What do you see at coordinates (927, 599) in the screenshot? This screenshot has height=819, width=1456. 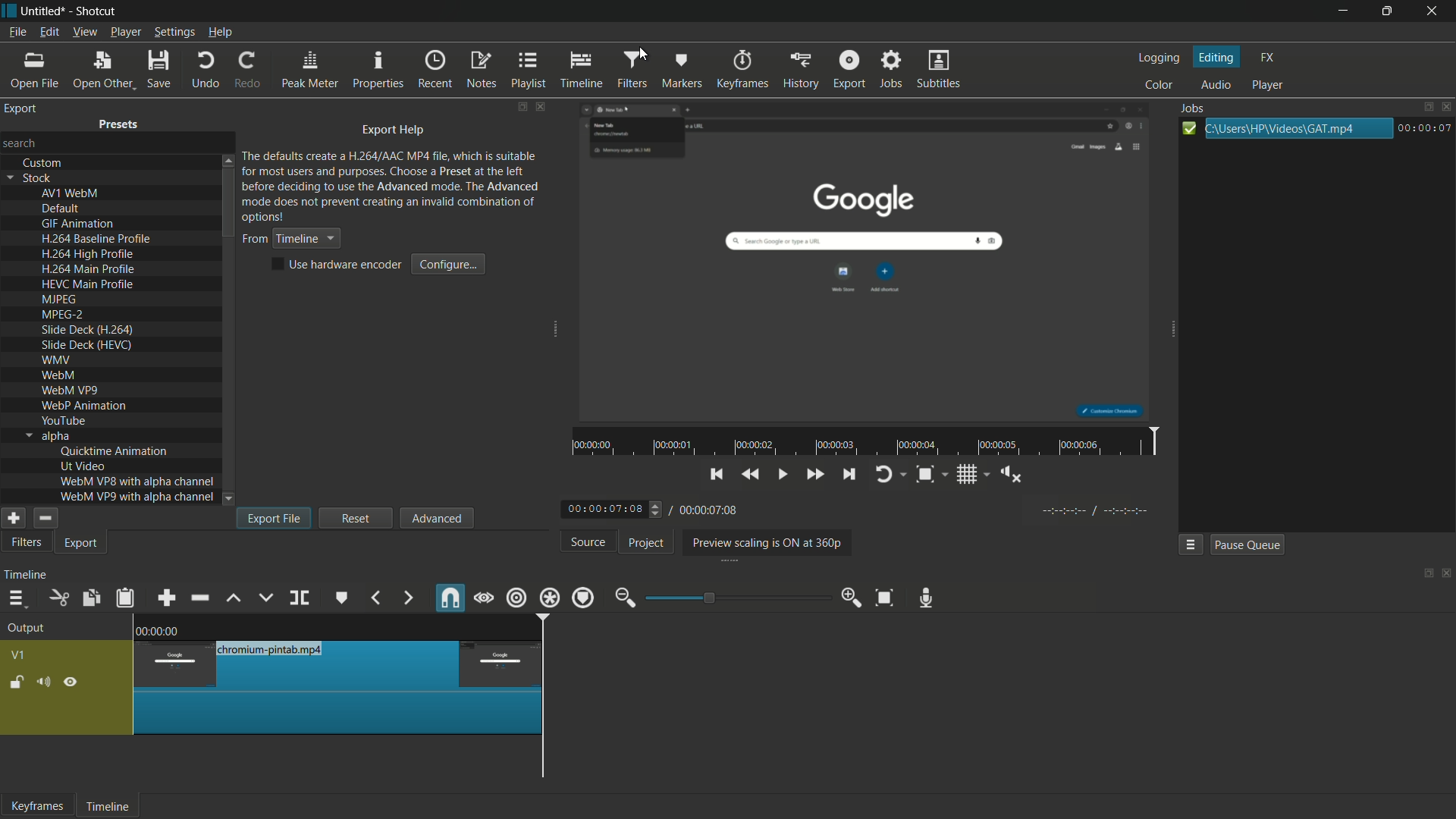 I see `record audio` at bounding box center [927, 599].